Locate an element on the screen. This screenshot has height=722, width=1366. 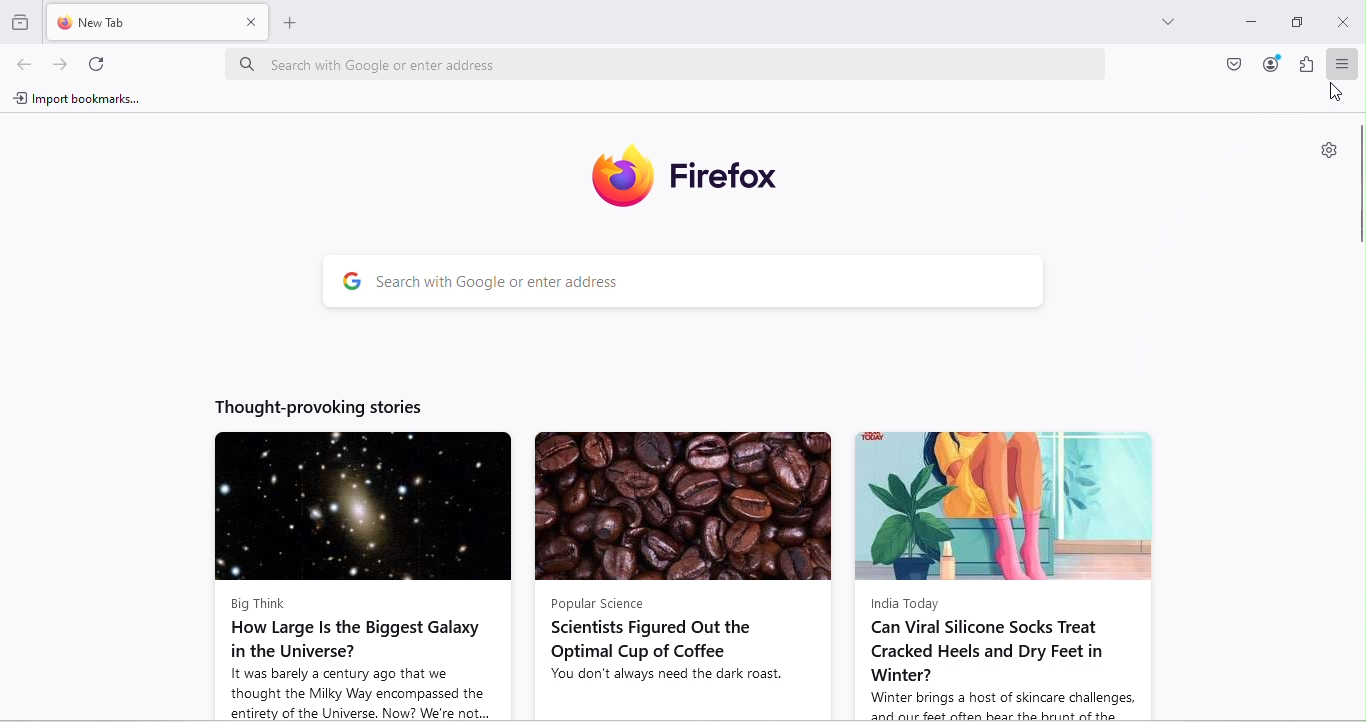
Cursor is located at coordinates (1332, 93).